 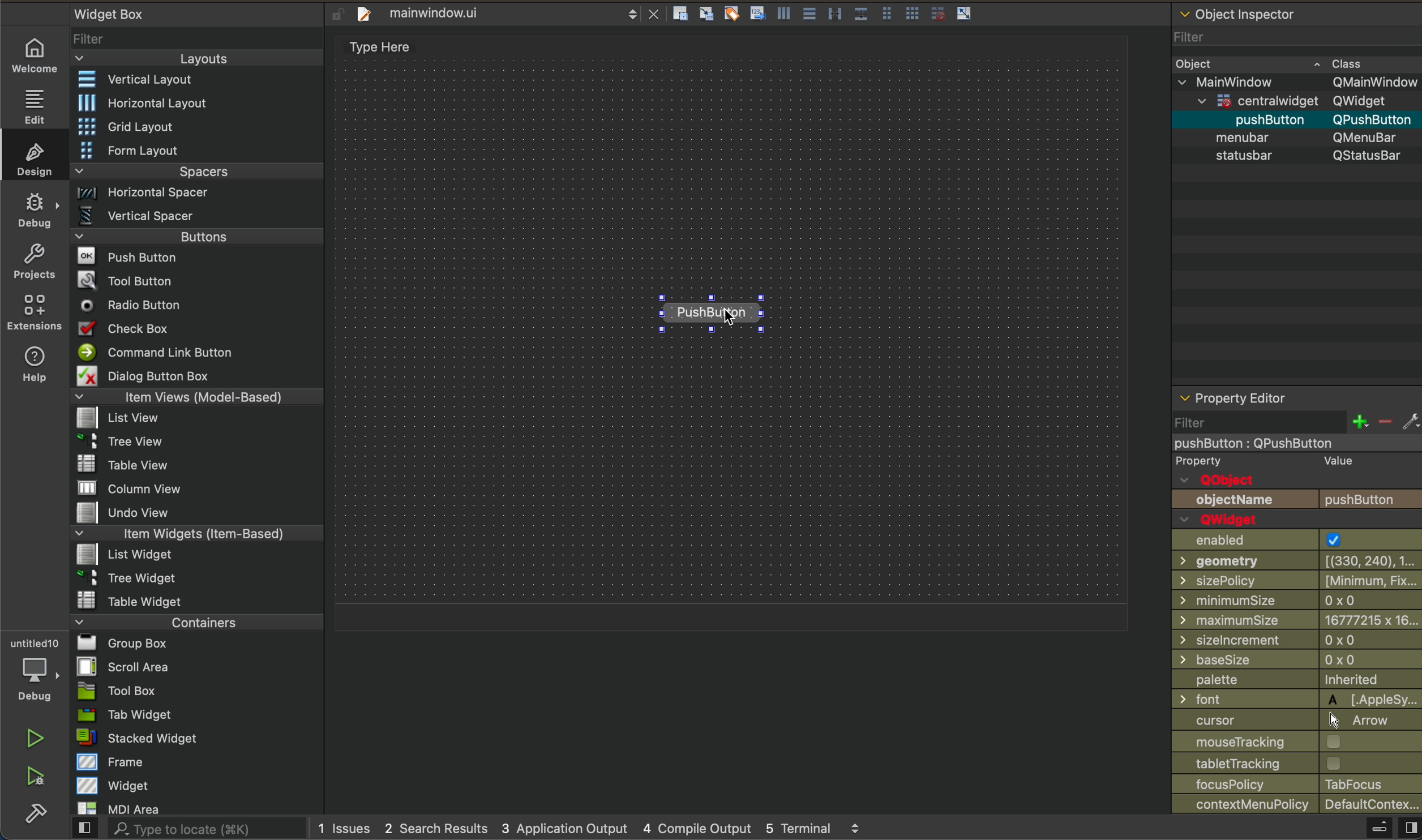 What do you see at coordinates (1339, 63) in the screenshot?
I see `Class` at bounding box center [1339, 63].